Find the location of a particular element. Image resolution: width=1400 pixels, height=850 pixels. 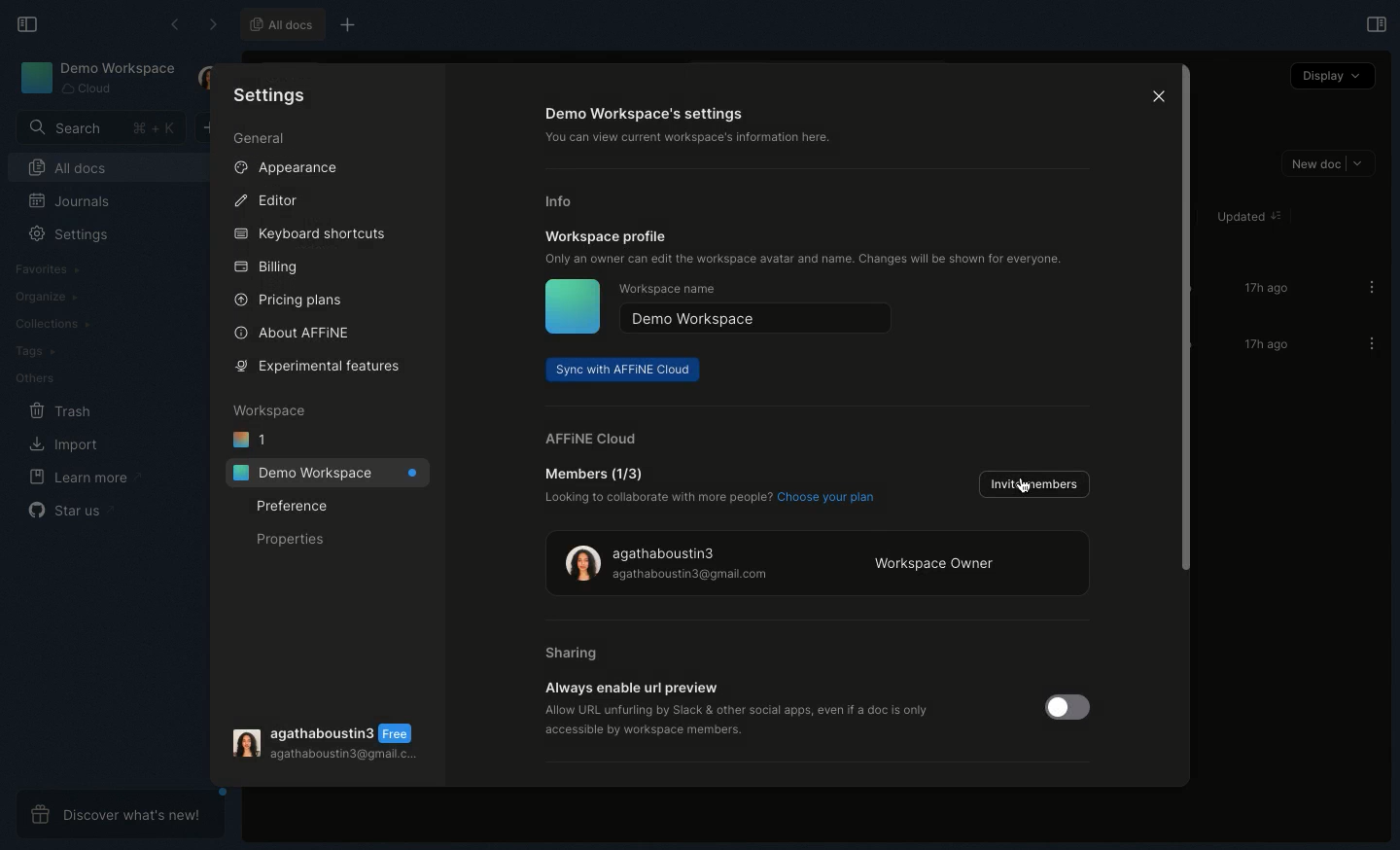

Choose your plan is located at coordinates (830, 498).